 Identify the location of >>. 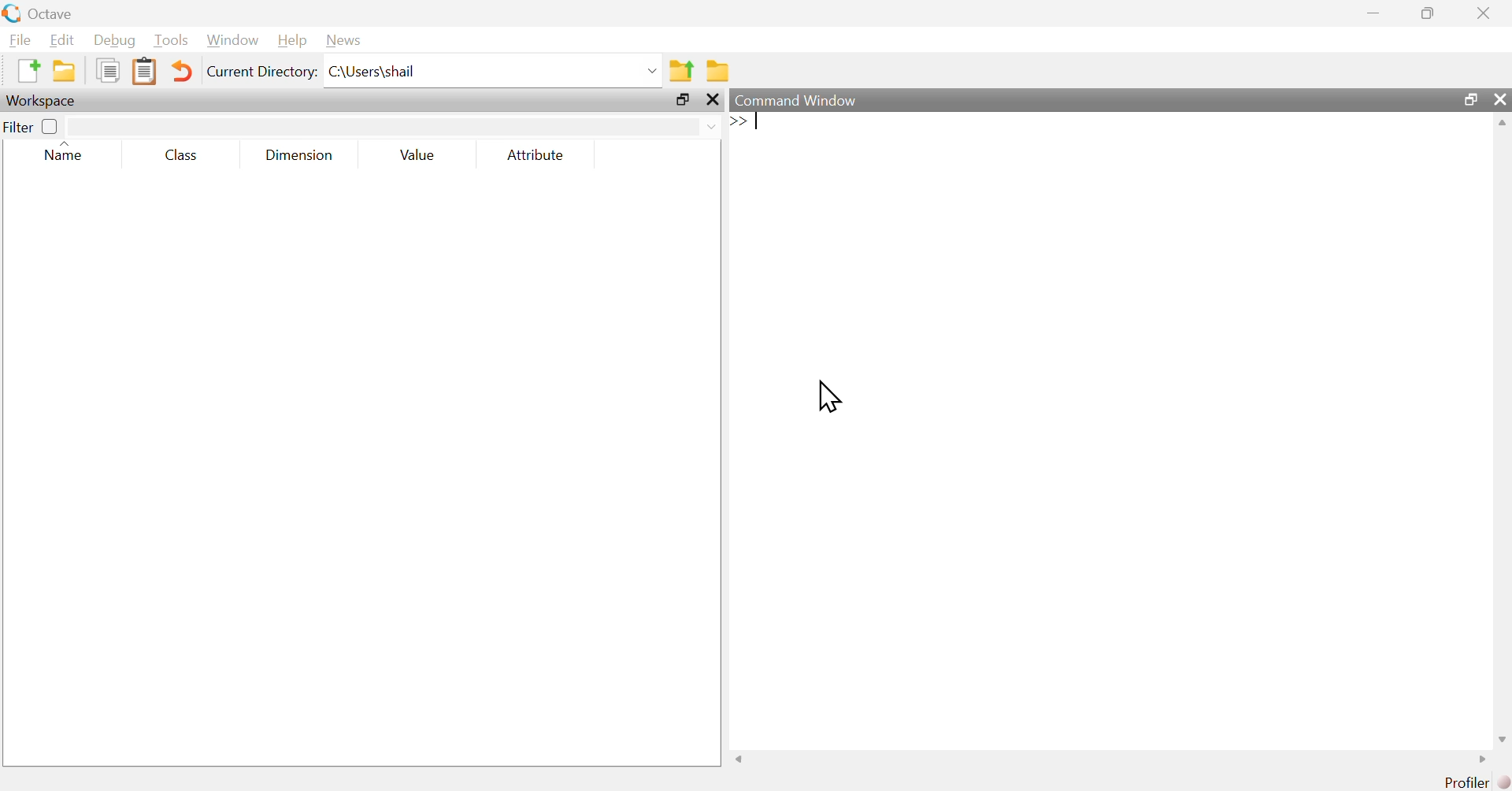
(738, 121).